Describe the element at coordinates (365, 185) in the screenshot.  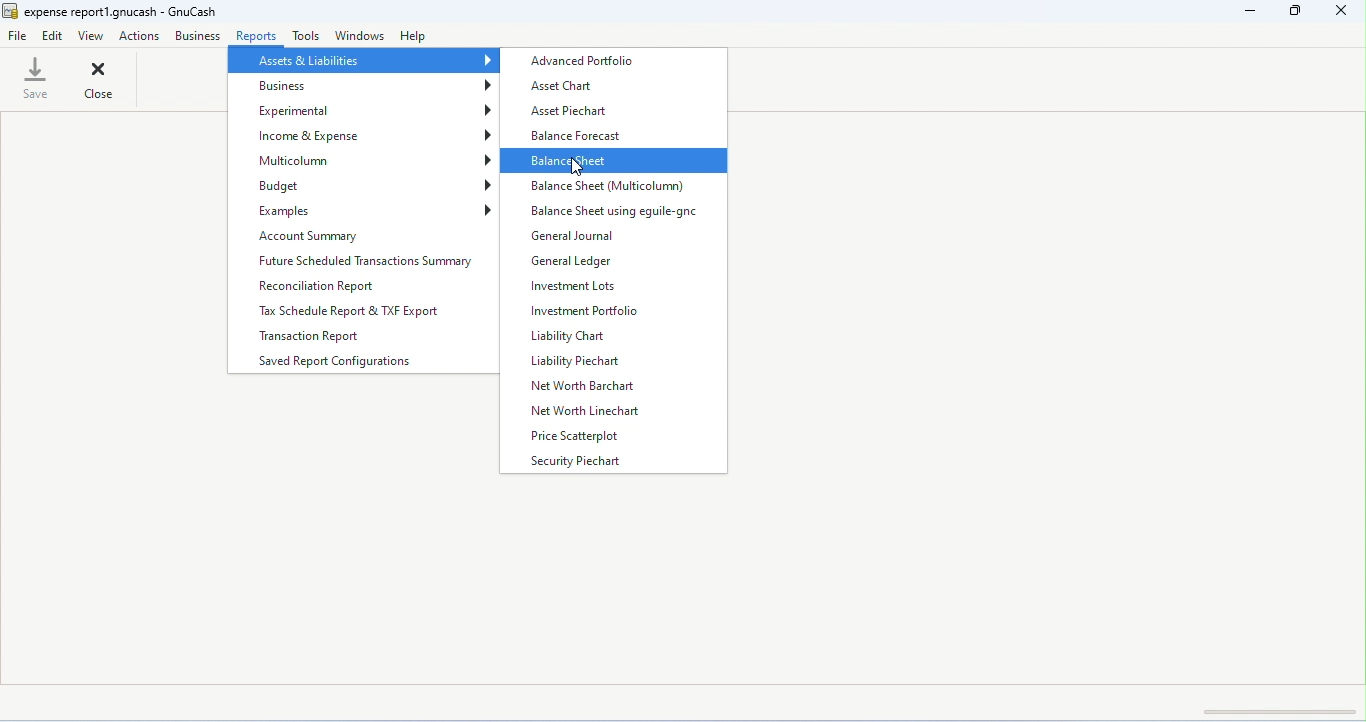
I see `budget` at that location.